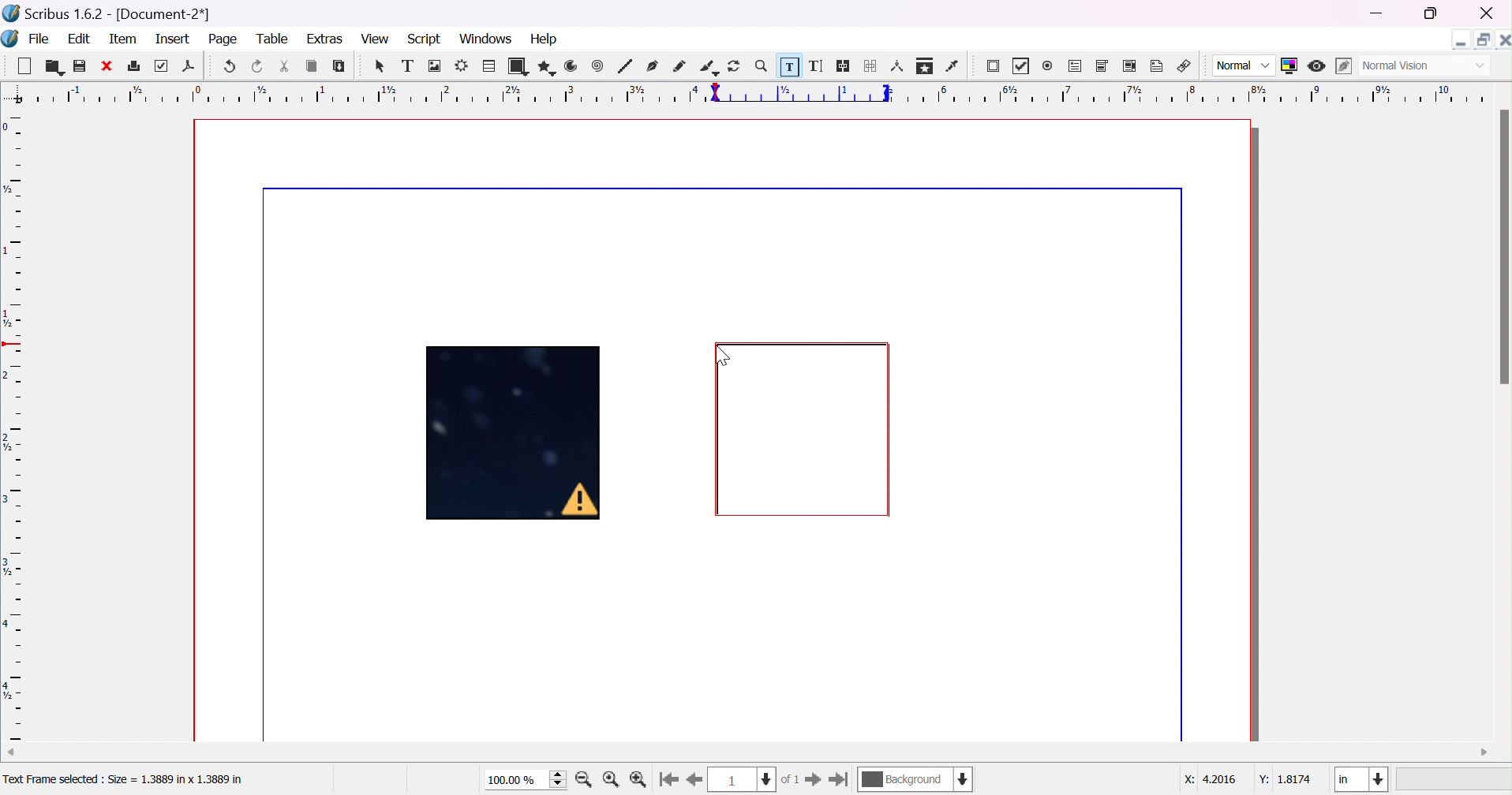 This screenshot has width=1512, height=795. Describe the element at coordinates (425, 39) in the screenshot. I see `script` at that location.